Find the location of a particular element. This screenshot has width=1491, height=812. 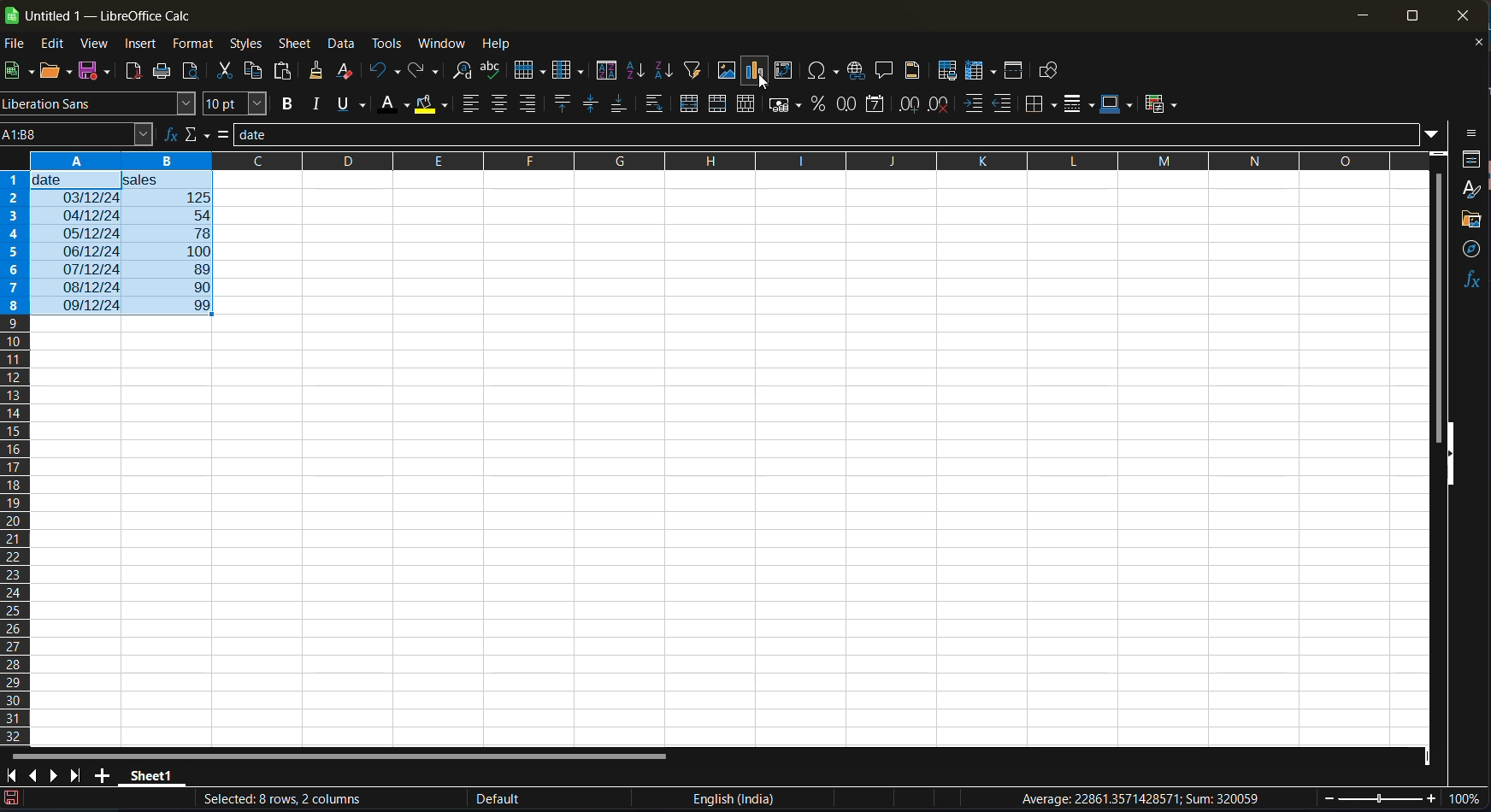

borders is located at coordinates (1042, 106).